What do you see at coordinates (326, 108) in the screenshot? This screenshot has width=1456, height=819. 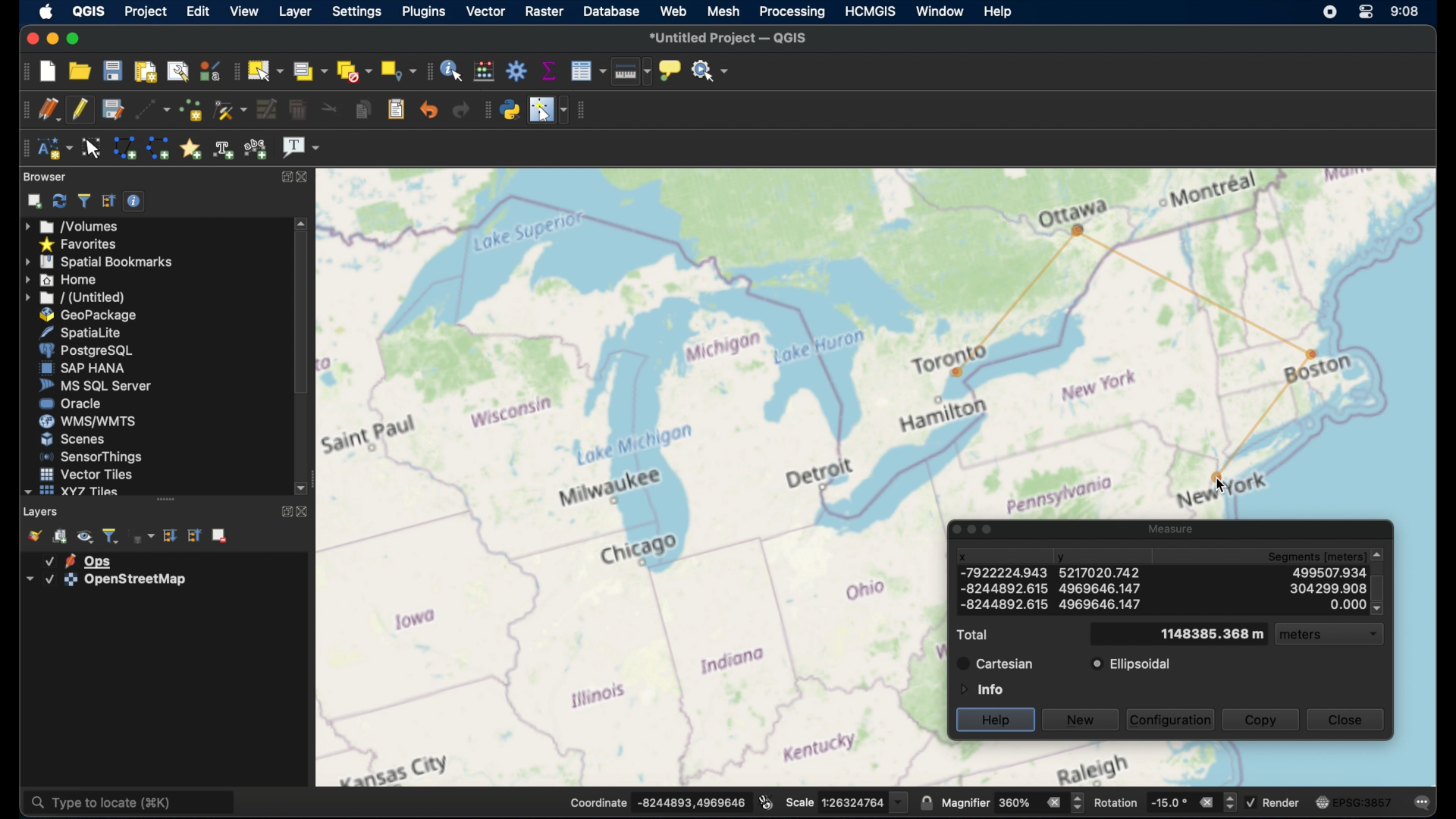 I see `cut features` at bounding box center [326, 108].